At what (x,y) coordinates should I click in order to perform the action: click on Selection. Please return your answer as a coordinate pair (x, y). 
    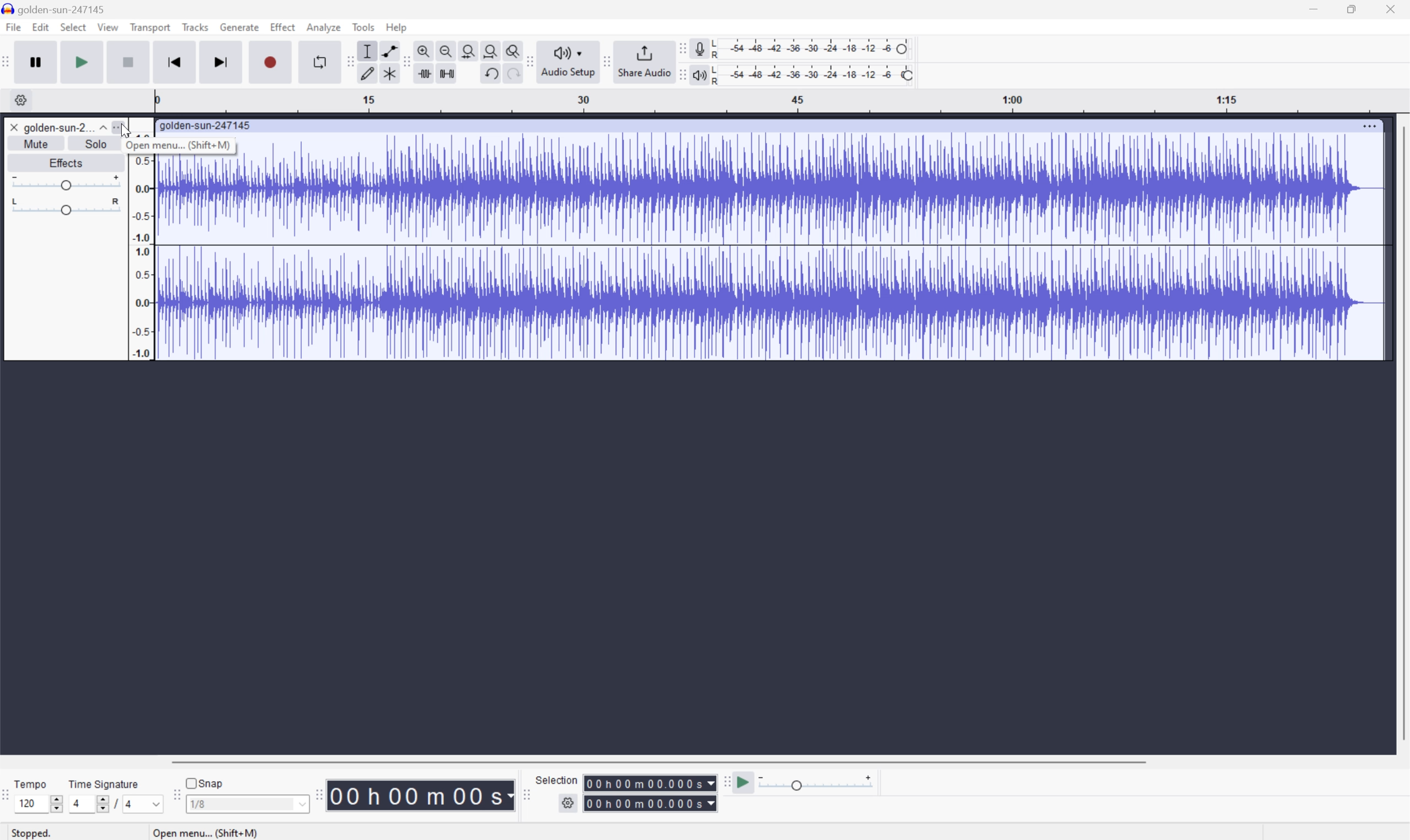
    Looking at the image, I should click on (558, 779).